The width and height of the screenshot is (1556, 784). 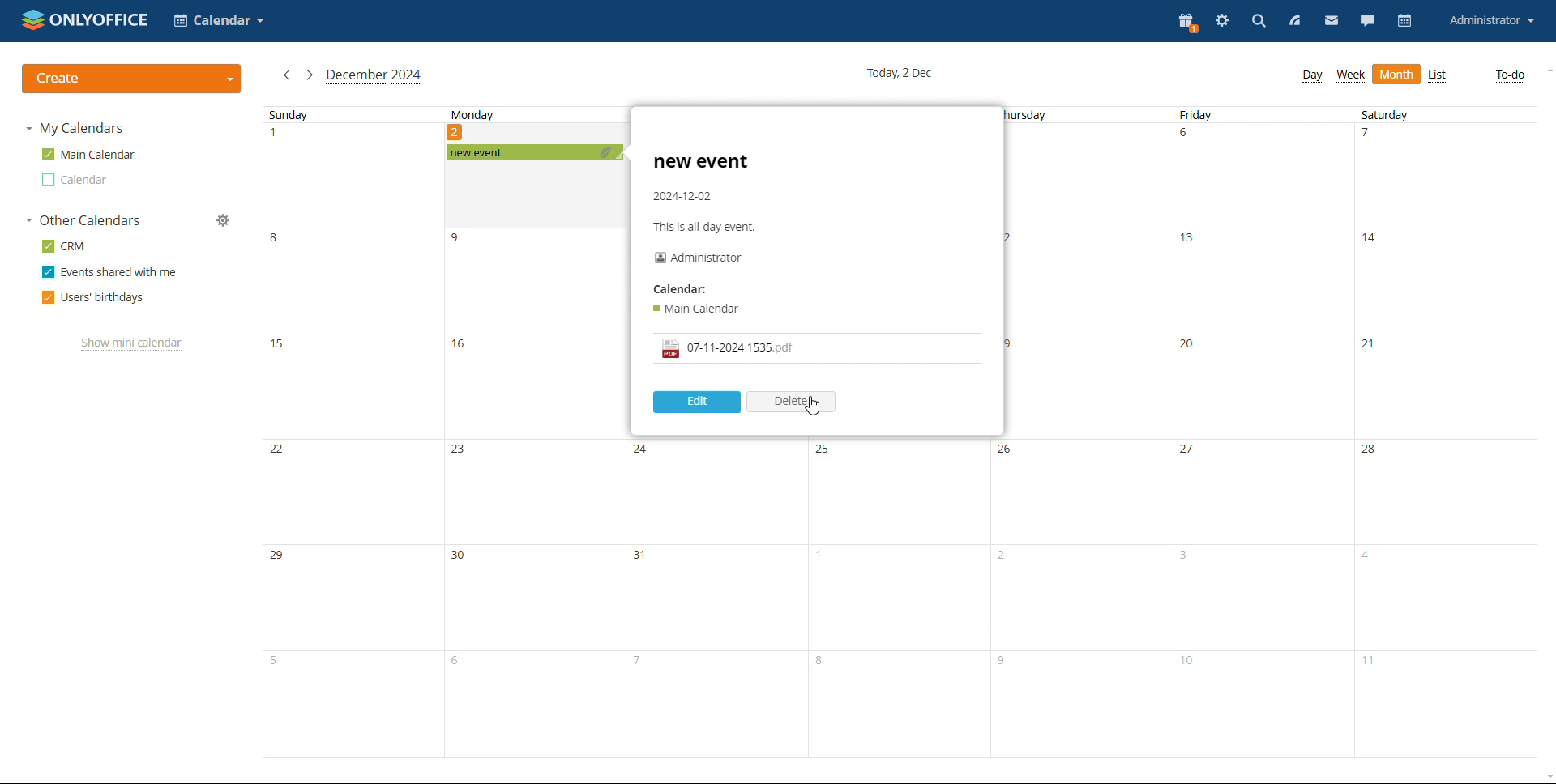 What do you see at coordinates (73, 129) in the screenshot?
I see `my calendars` at bounding box center [73, 129].